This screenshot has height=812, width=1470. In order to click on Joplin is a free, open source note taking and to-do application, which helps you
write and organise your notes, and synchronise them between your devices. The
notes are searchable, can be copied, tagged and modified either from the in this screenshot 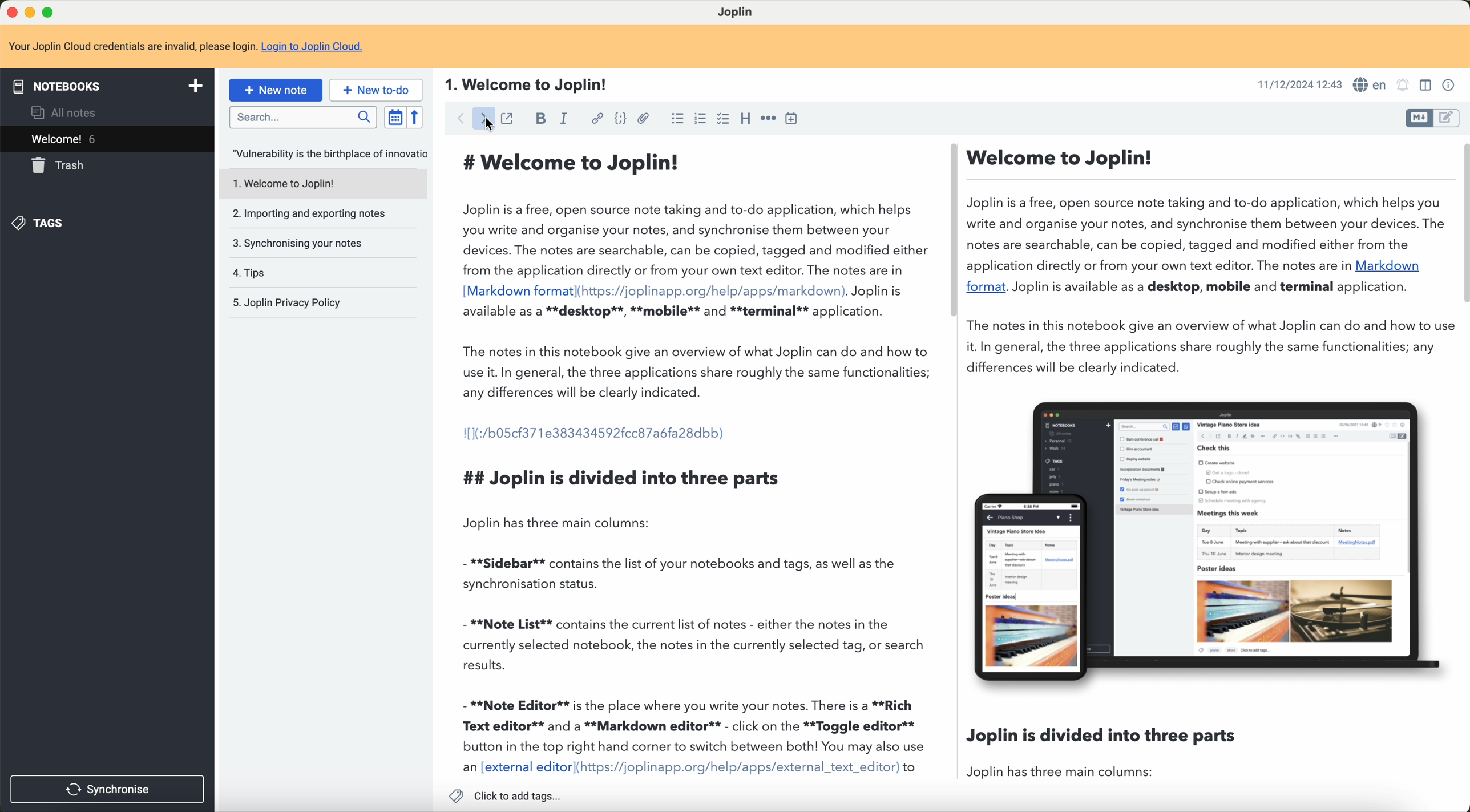, I will do `click(1204, 221)`.